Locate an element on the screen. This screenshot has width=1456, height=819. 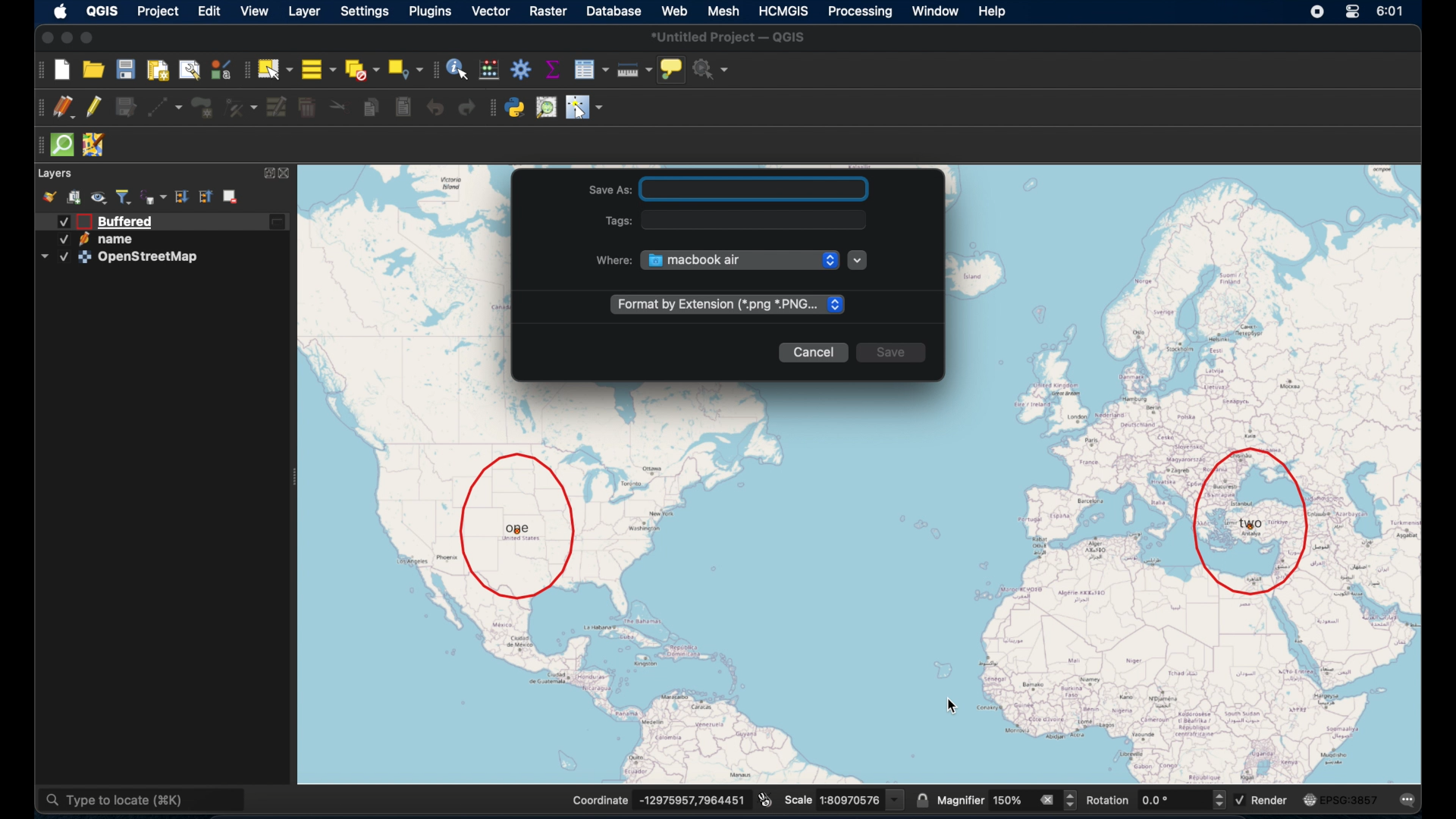
toggle extents and position mouse display is located at coordinates (764, 797).